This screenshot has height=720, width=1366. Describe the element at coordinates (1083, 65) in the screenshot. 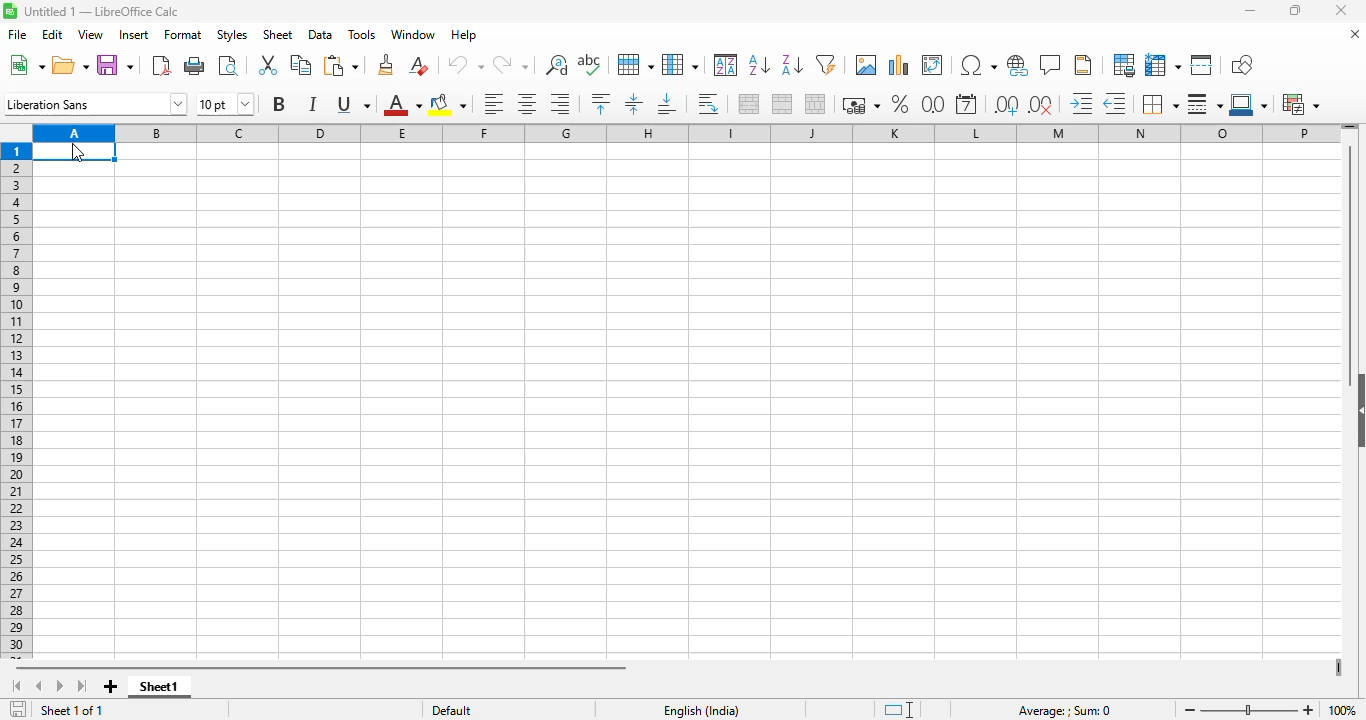

I see `headers and footers` at that location.